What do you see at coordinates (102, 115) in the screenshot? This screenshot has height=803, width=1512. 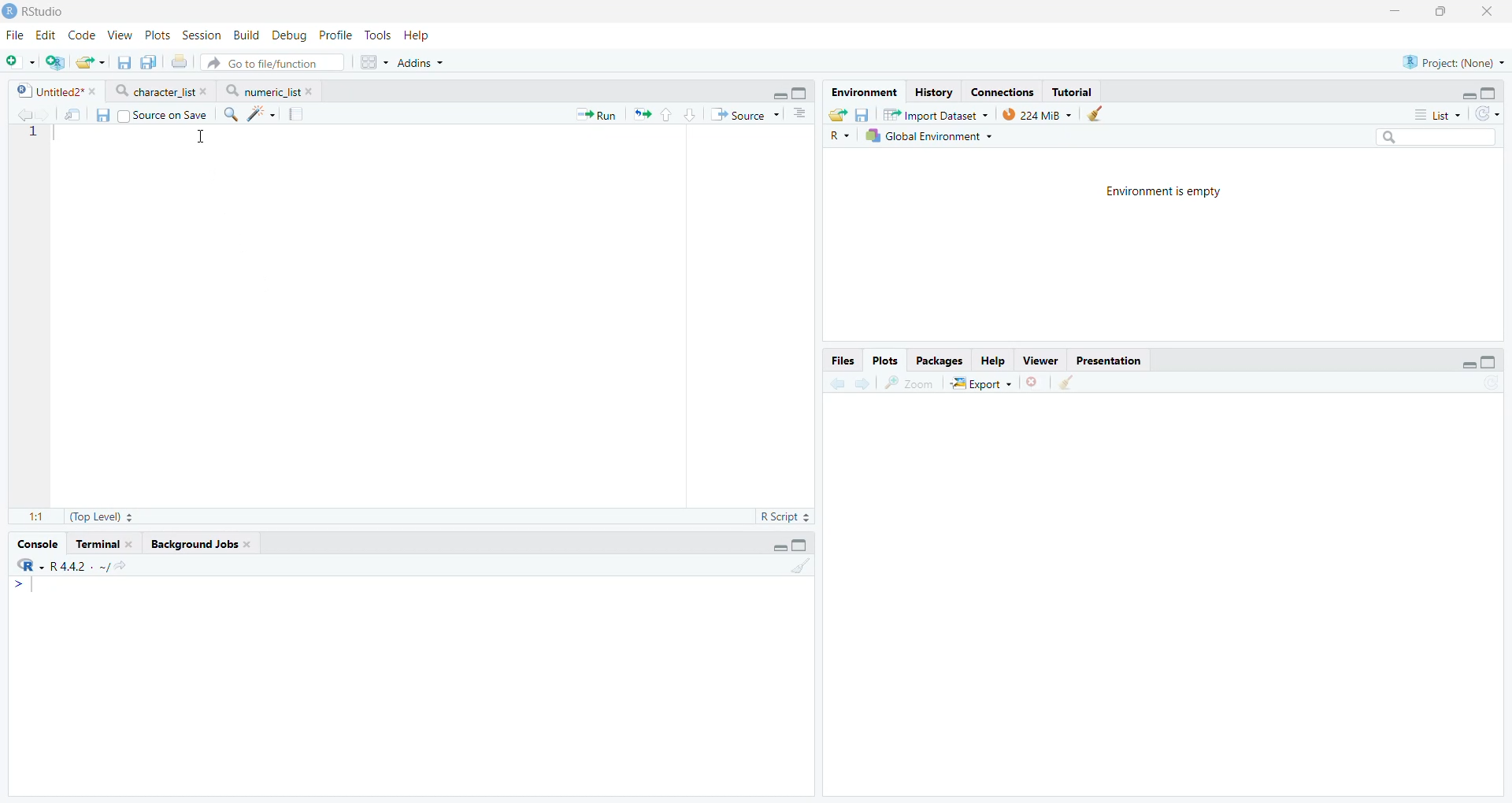 I see `Save` at bounding box center [102, 115].